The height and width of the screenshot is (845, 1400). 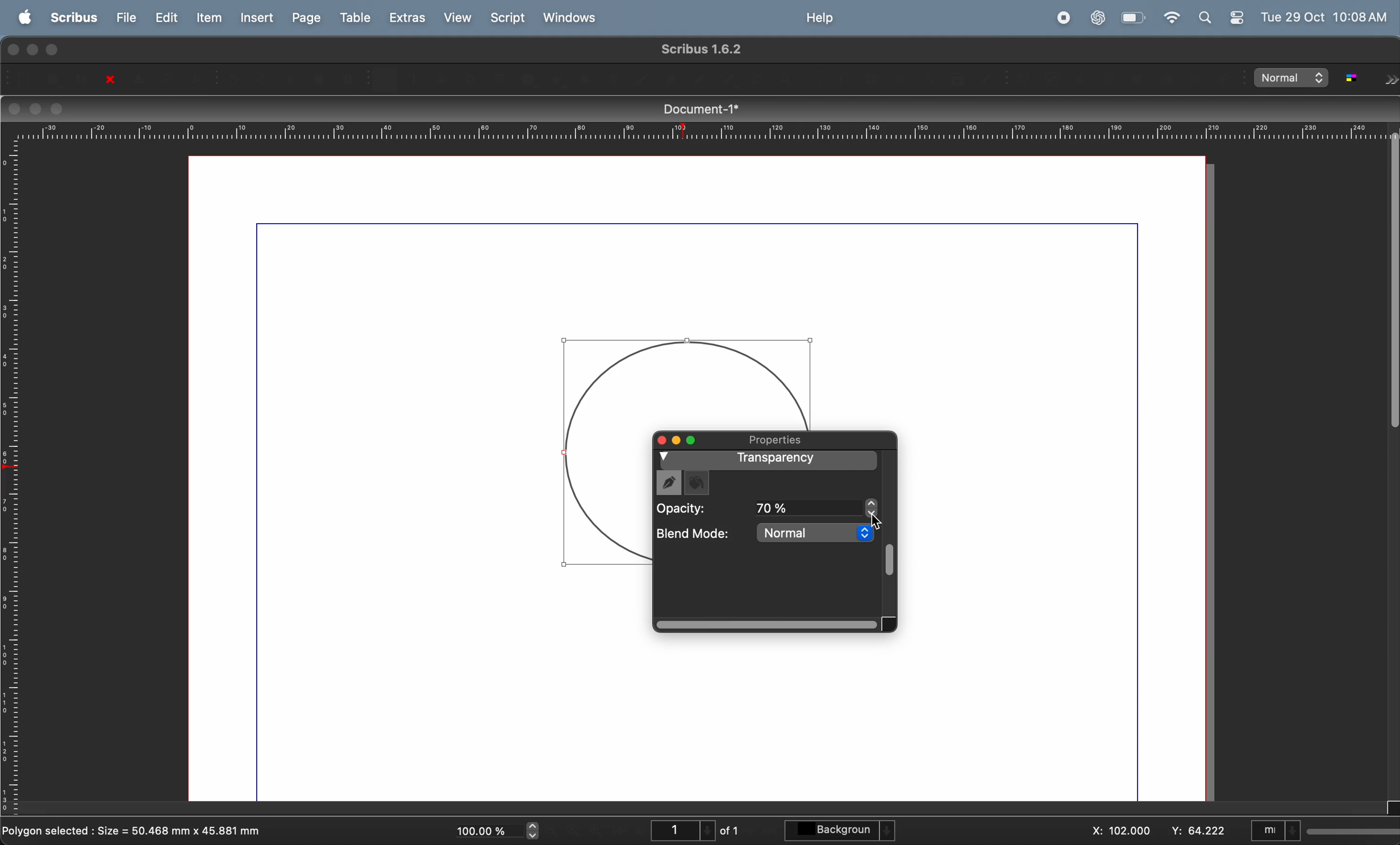 What do you see at coordinates (122, 16) in the screenshot?
I see `file` at bounding box center [122, 16].